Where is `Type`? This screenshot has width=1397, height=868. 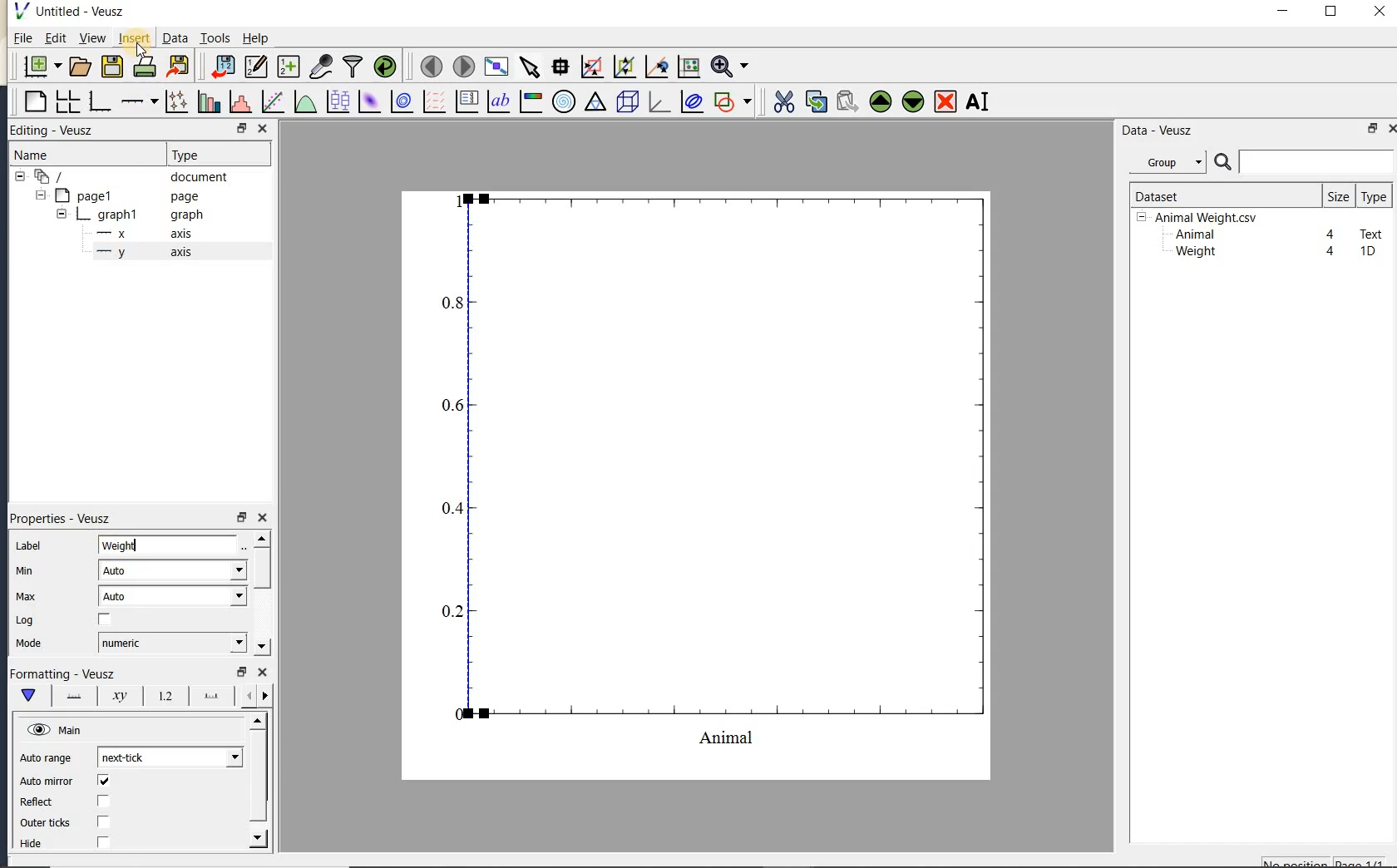
Type is located at coordinates (215, 153).